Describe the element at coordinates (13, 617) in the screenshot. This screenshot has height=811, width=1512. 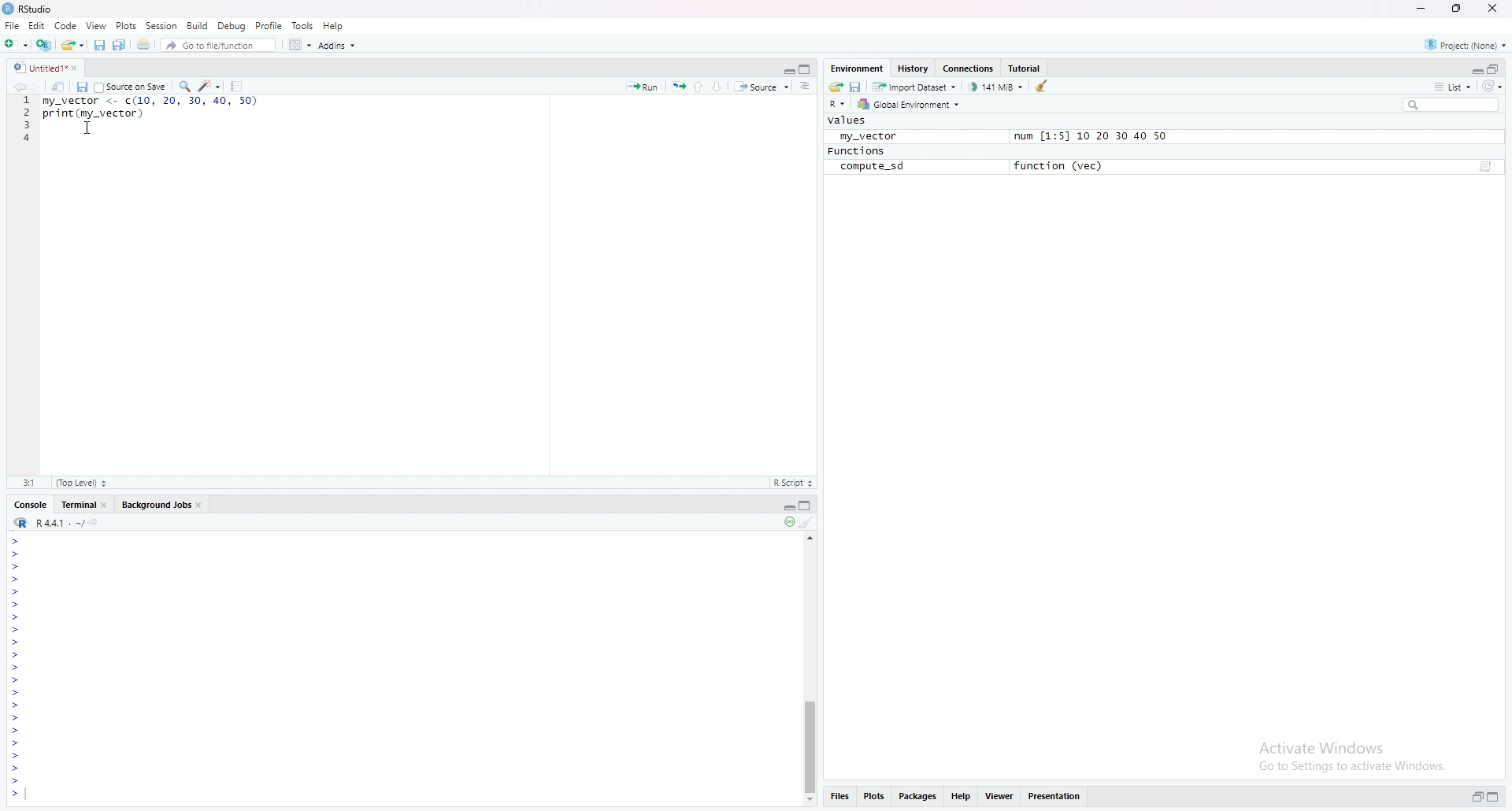
I see `prompt cursor` at that location.